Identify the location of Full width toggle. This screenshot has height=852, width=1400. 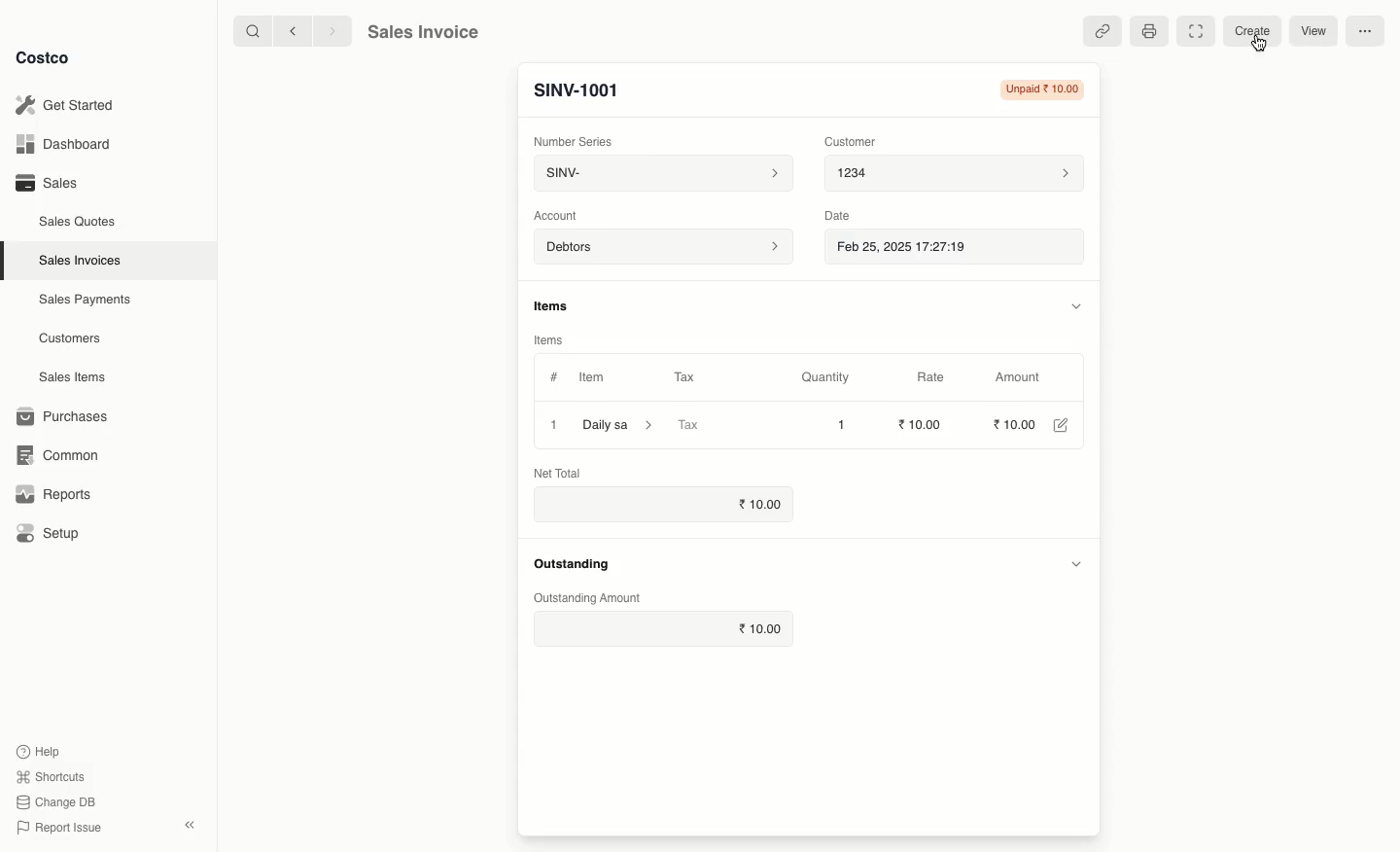
(1197, 31).